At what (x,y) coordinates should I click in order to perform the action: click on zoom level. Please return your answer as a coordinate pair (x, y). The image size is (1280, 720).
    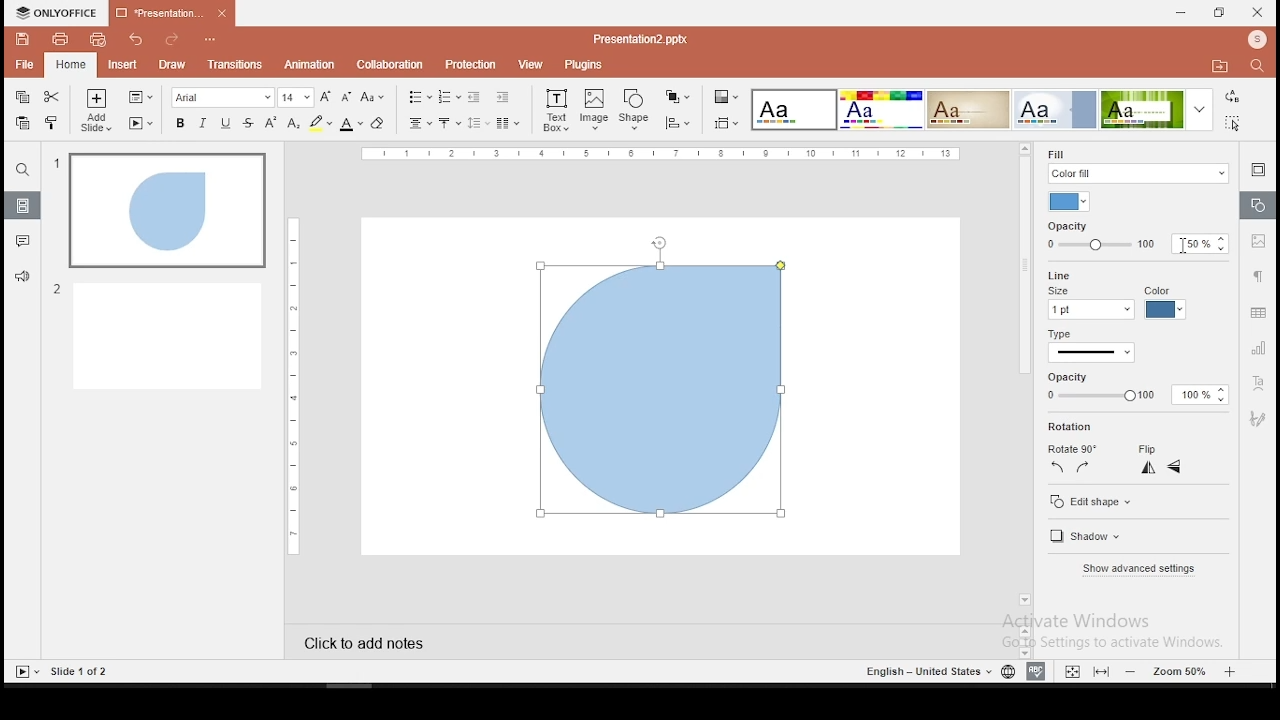
    Looking at the image, I should click on (1181, 671).